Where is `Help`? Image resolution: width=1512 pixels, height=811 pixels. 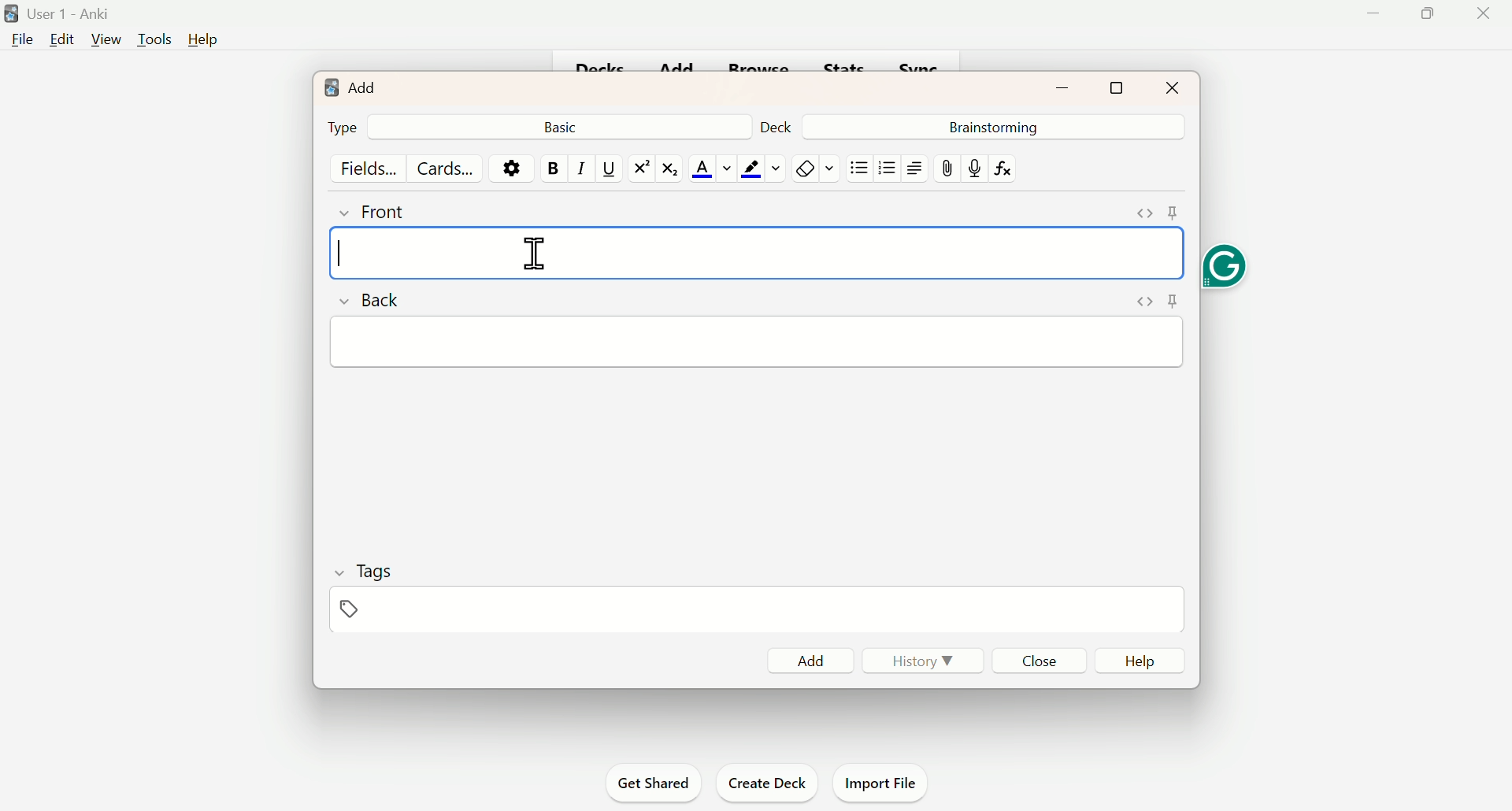
Help is located at coordinates (1147, 661).